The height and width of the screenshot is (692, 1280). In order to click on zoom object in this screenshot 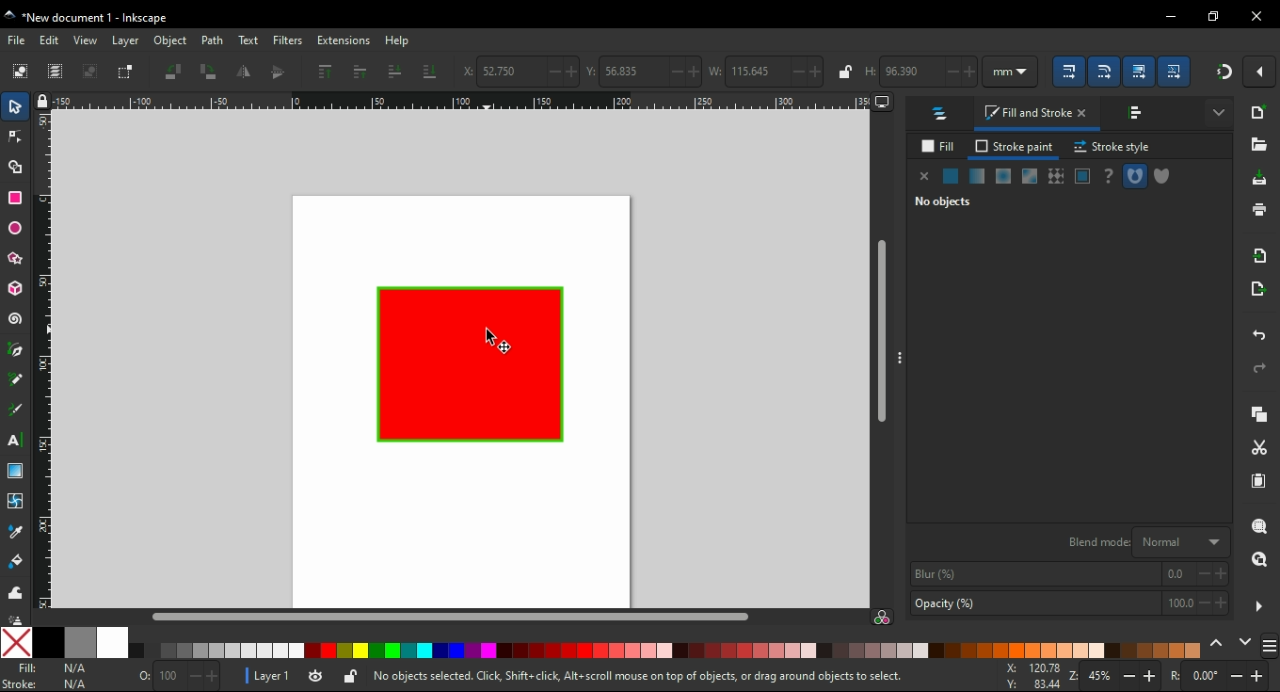, I will do `click(1257, 525)`.